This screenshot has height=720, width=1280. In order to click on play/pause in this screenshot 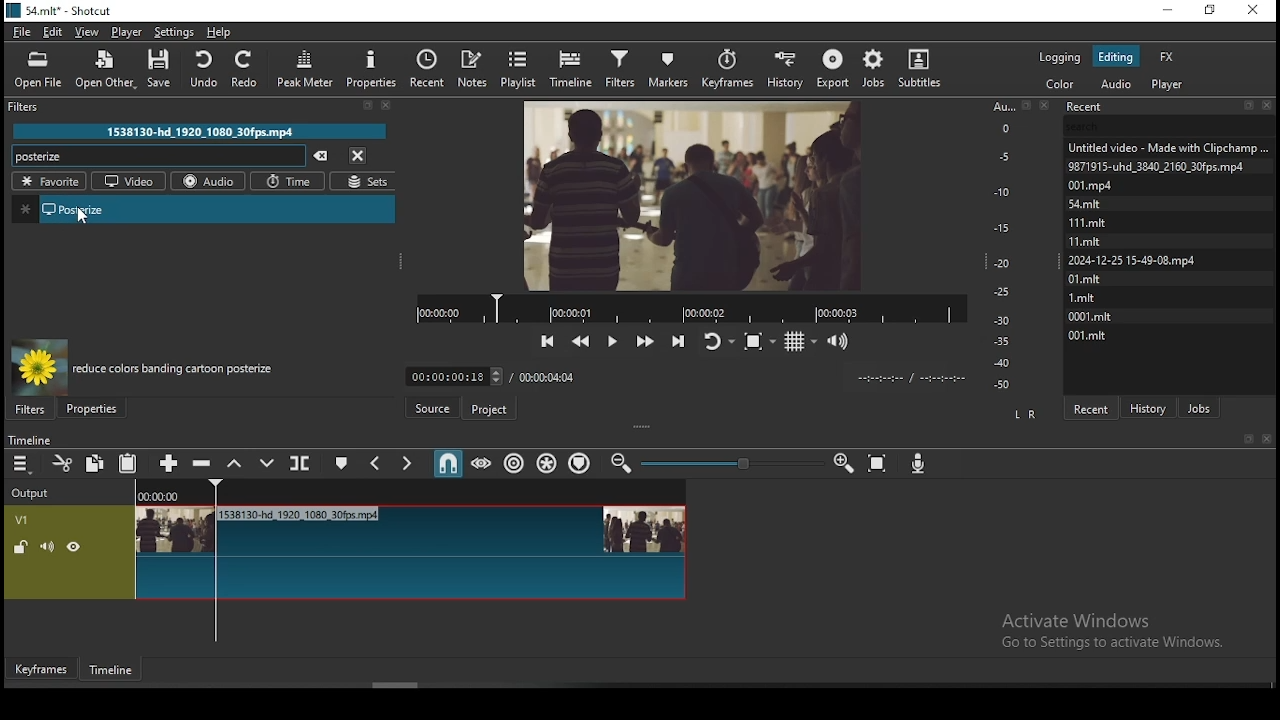, I will do `click(611, 343)`.